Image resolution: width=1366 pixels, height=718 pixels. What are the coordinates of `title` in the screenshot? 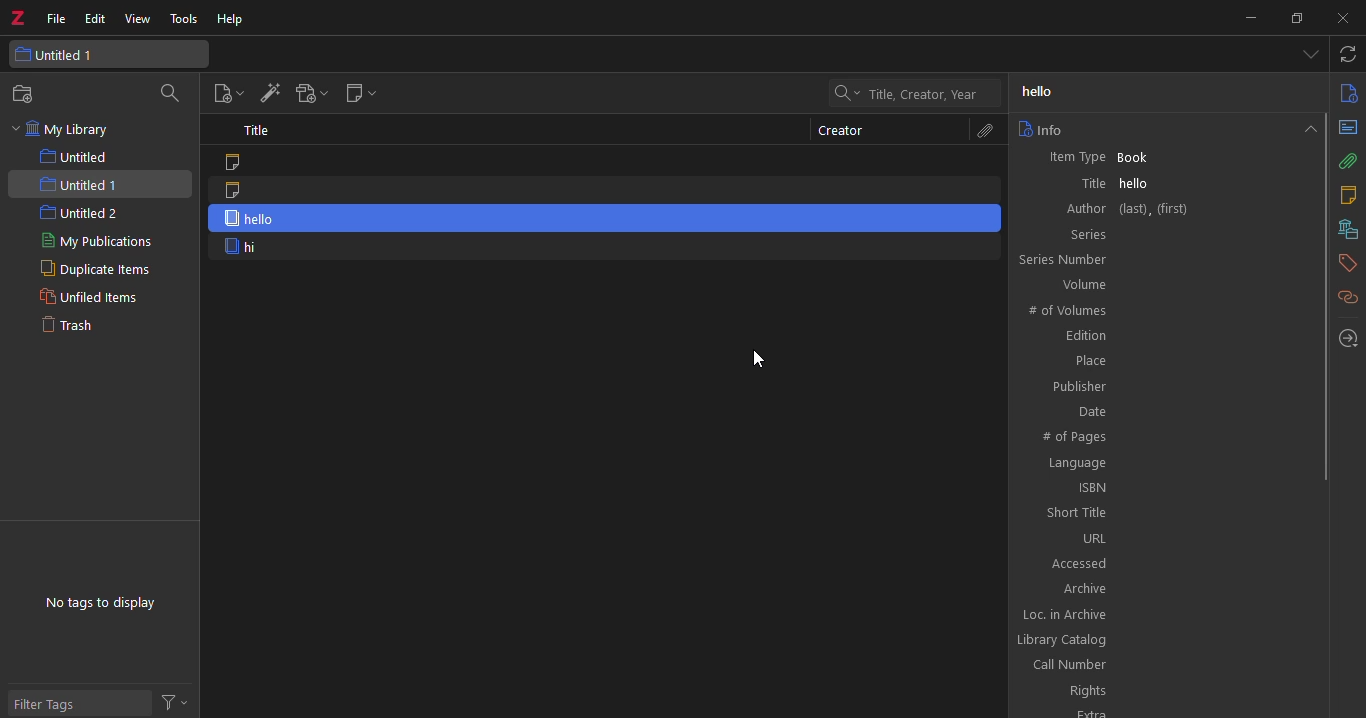 It's located at (258, 130).